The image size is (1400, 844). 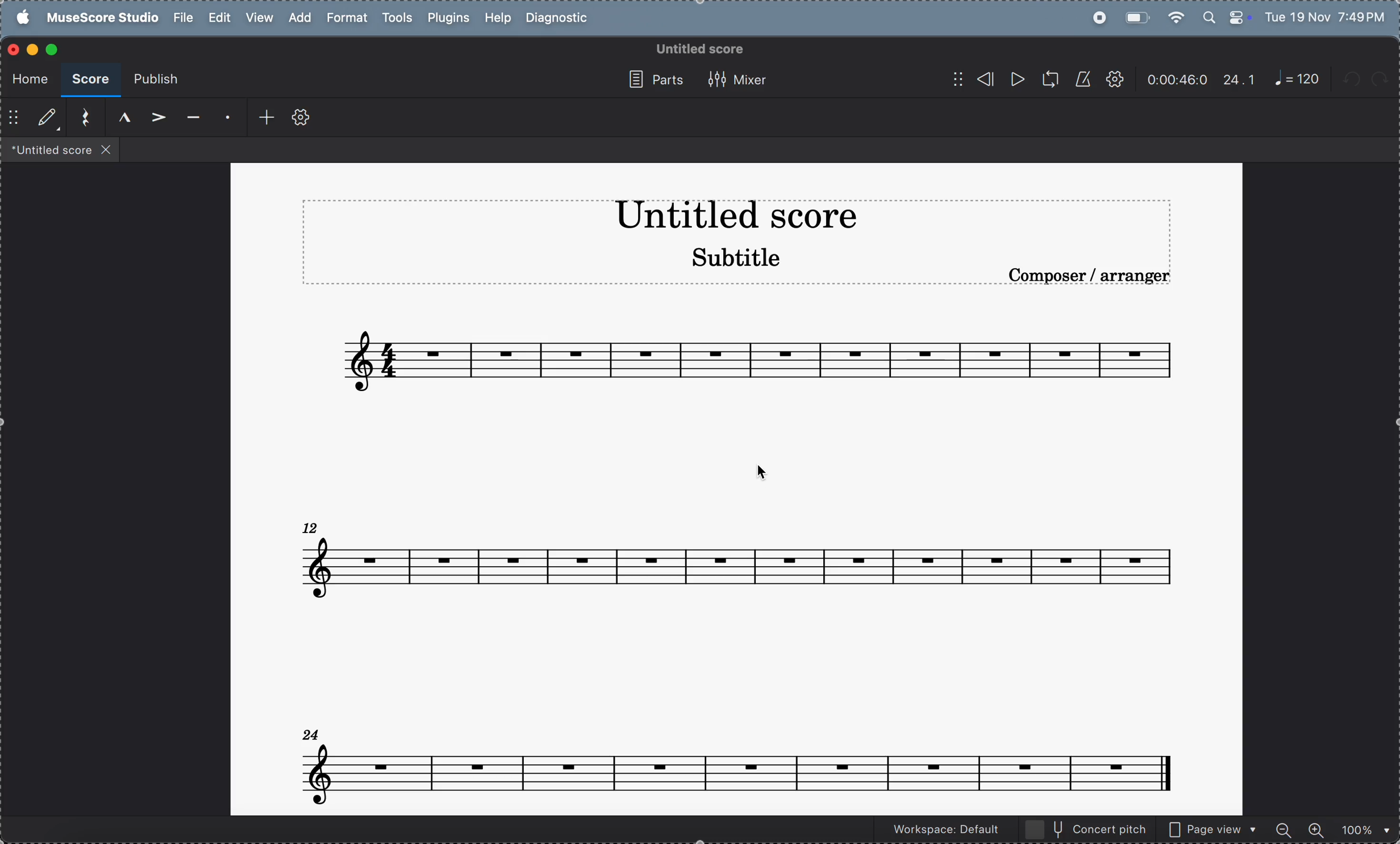 What do you see at coordinates (1096, 18) in the screenshot?
I see `record` at bounding box center [1096, 18].